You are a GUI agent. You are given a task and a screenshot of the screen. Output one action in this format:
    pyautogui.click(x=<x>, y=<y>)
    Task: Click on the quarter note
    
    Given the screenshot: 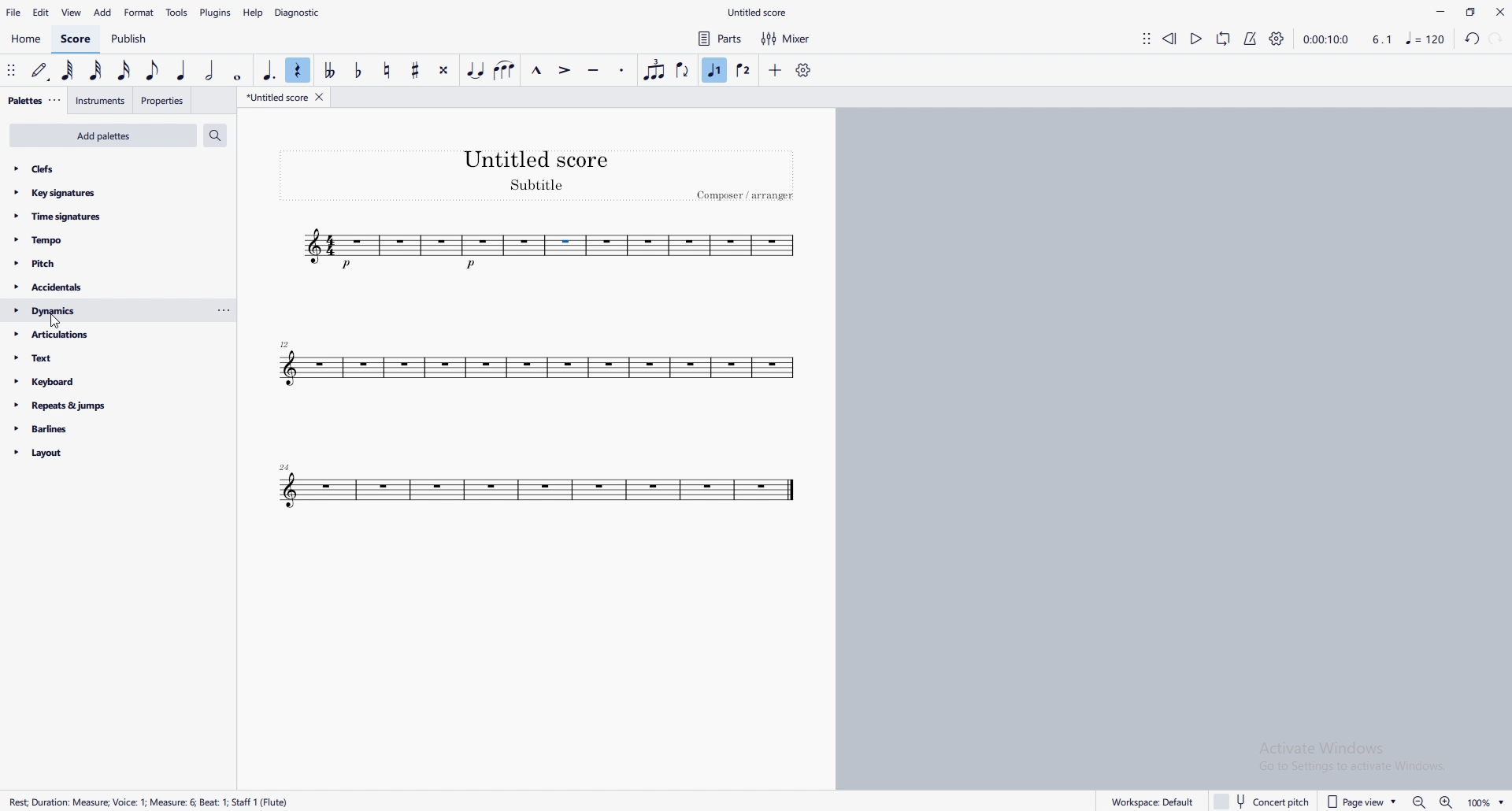 What is the action you would take?
    pyautogui.click(x=183, y=71)
    